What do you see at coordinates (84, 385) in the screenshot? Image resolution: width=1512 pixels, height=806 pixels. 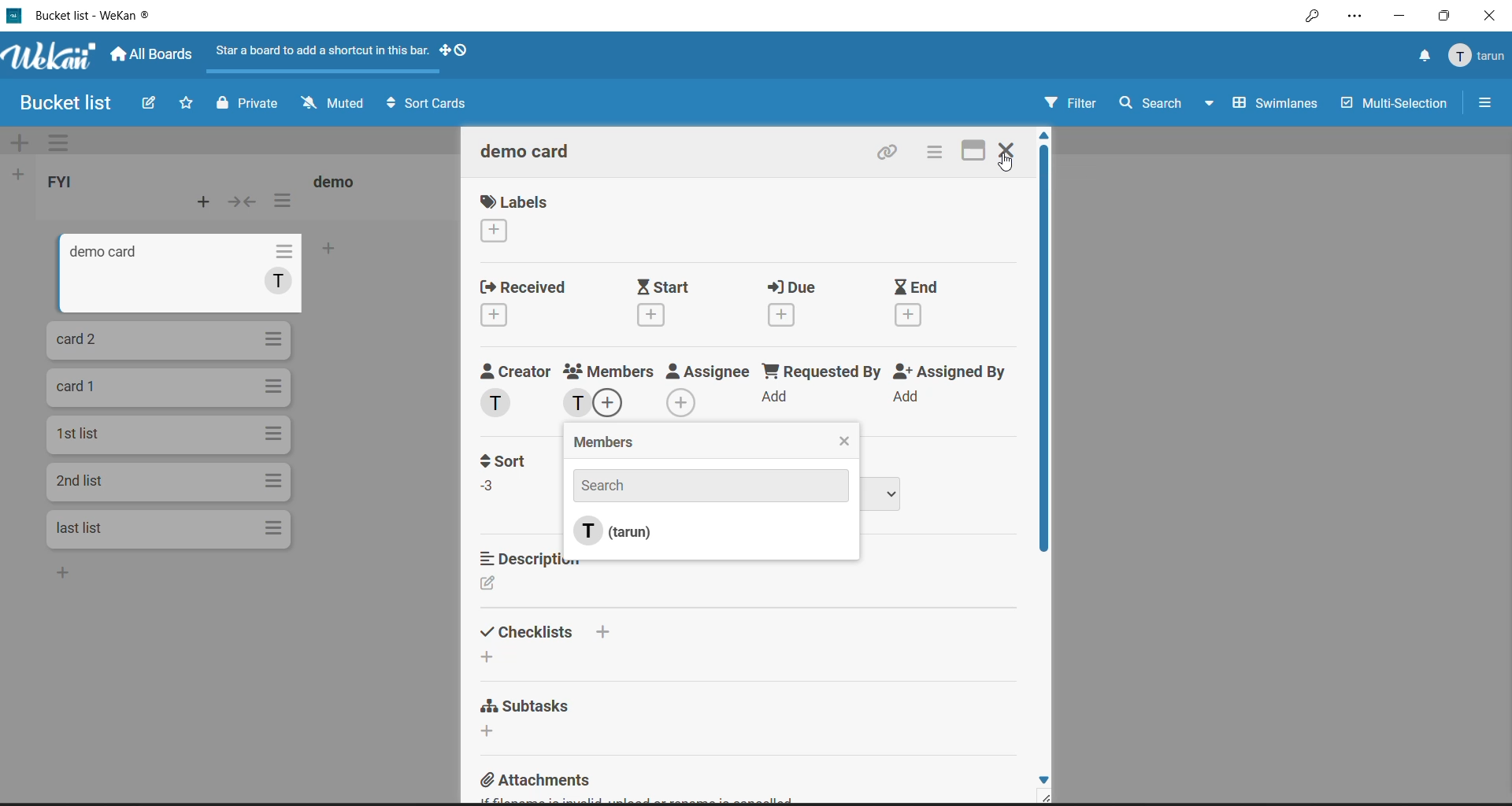 I see `card title` at bounding box center [84, 385].